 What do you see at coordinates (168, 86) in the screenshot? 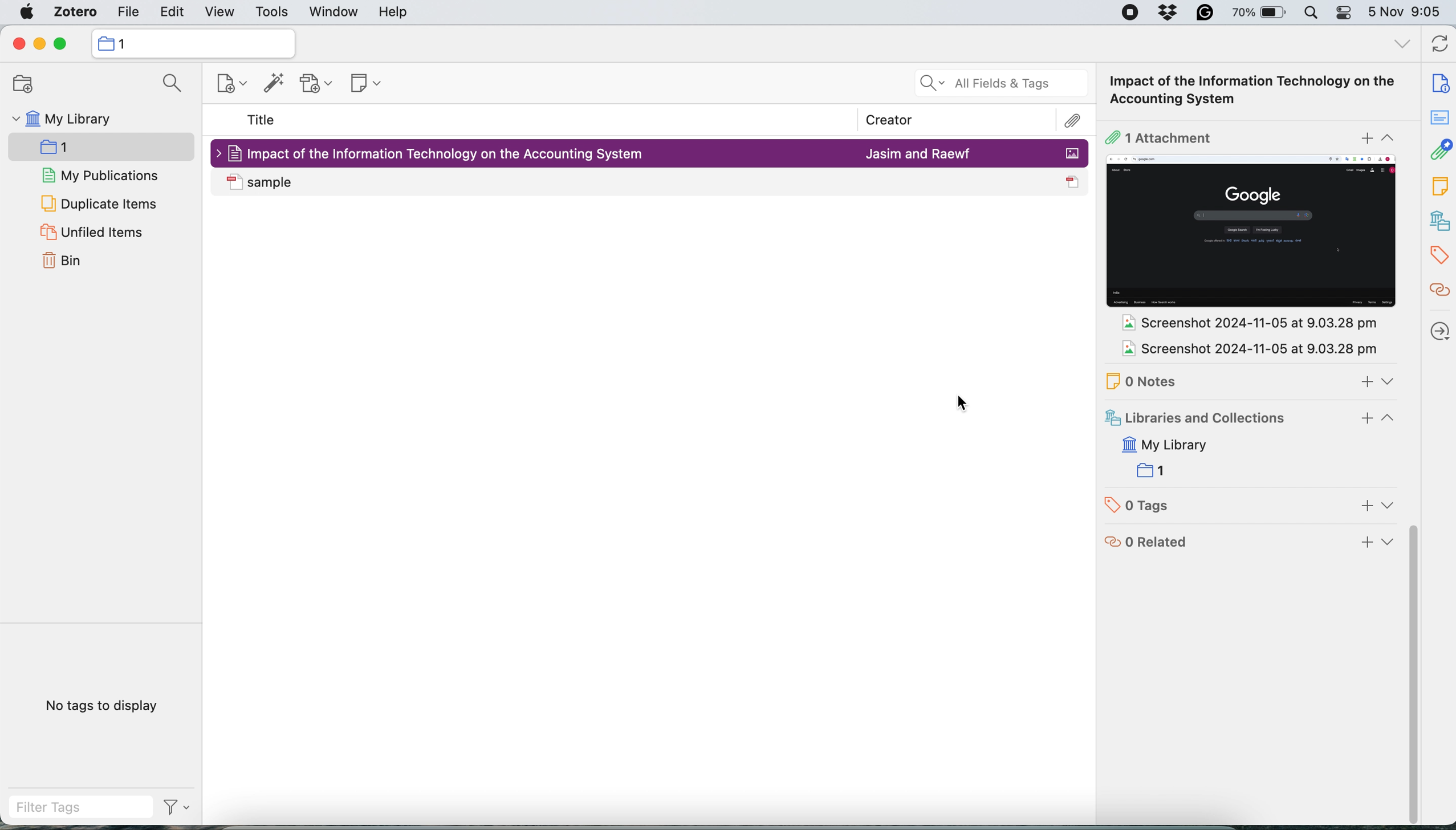
I see `searcg` at bounding box center [168, 86].